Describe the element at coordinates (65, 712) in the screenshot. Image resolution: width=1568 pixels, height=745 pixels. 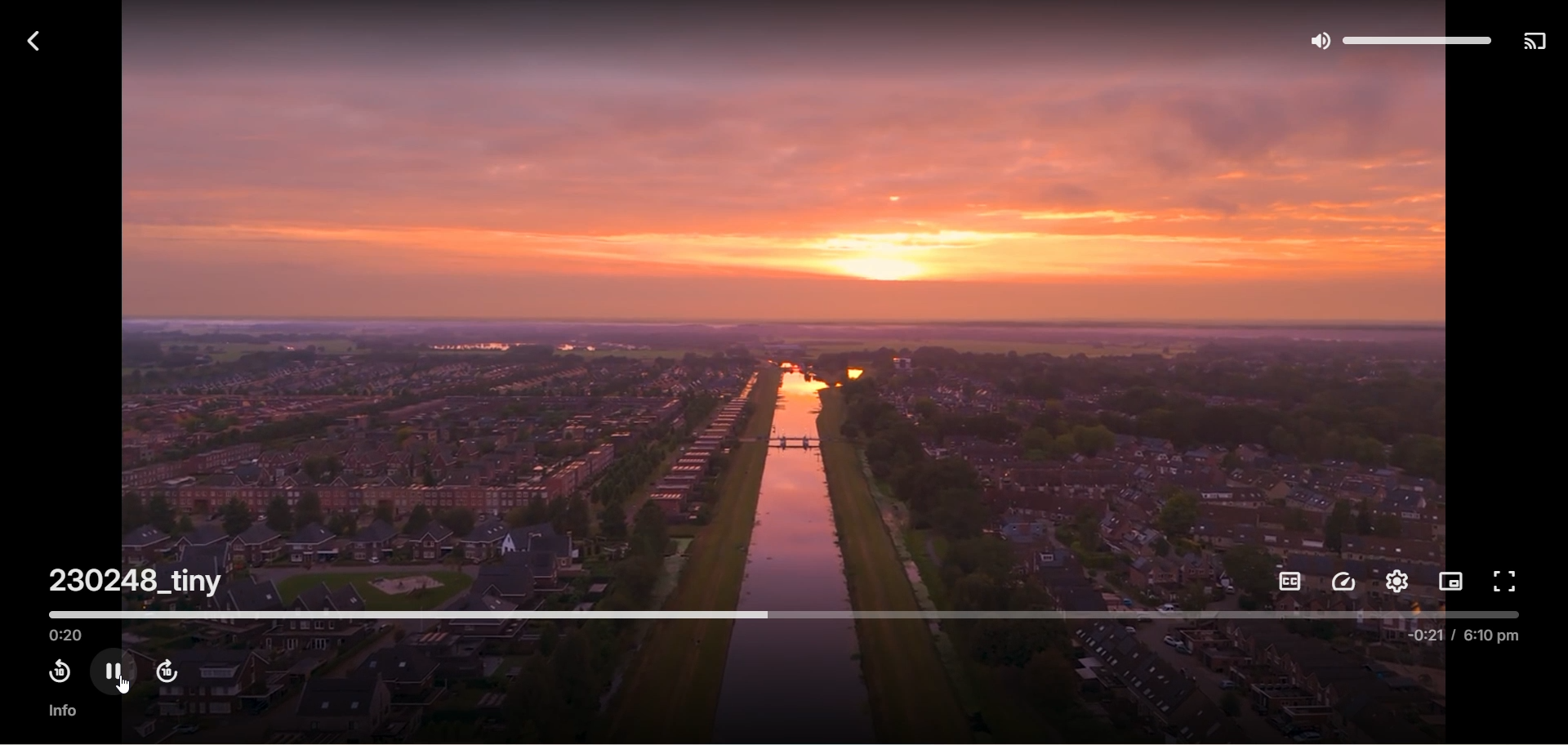
I see `info` at that location.